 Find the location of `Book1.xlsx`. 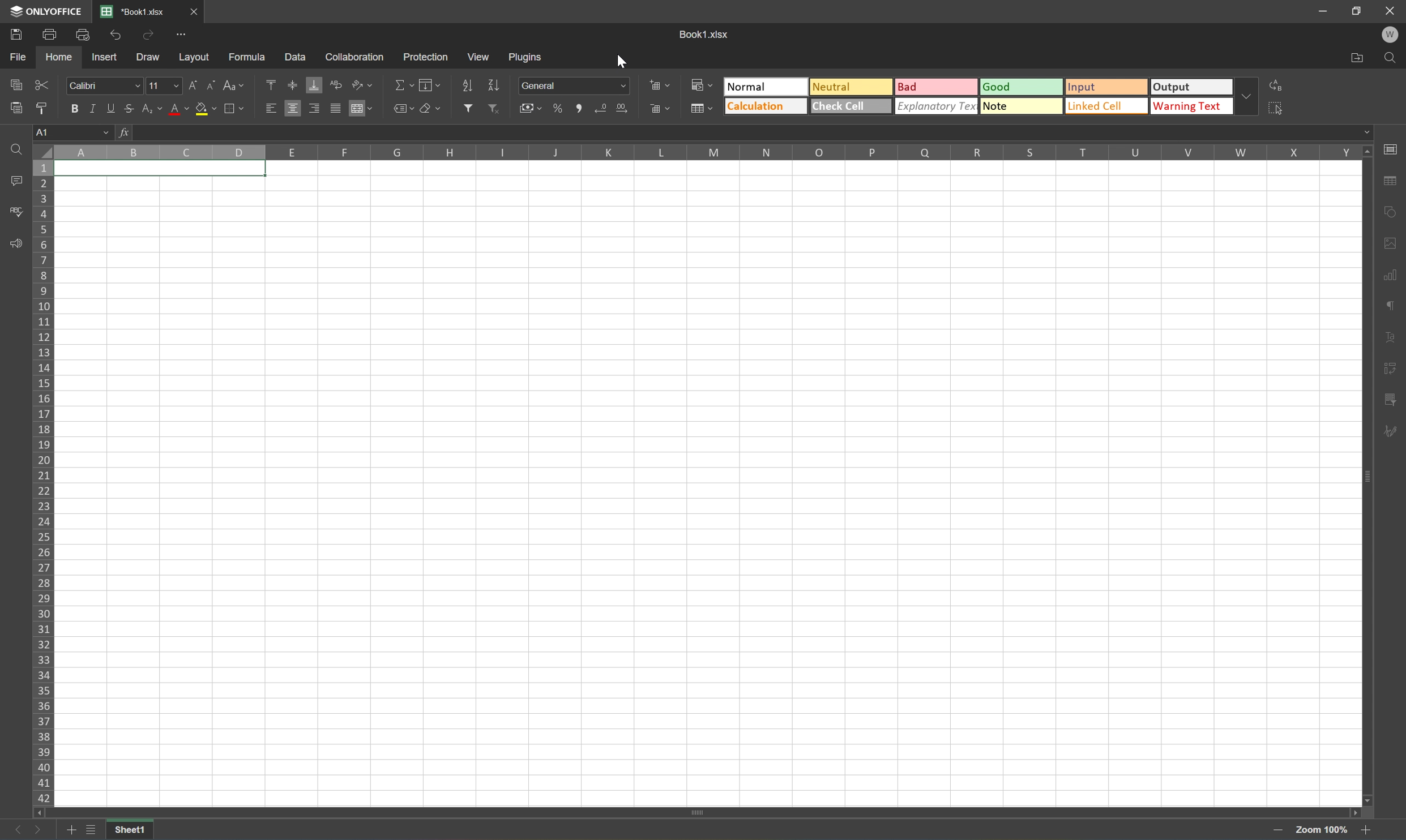

Book1.xlsx is located at coordinates (706, 33).